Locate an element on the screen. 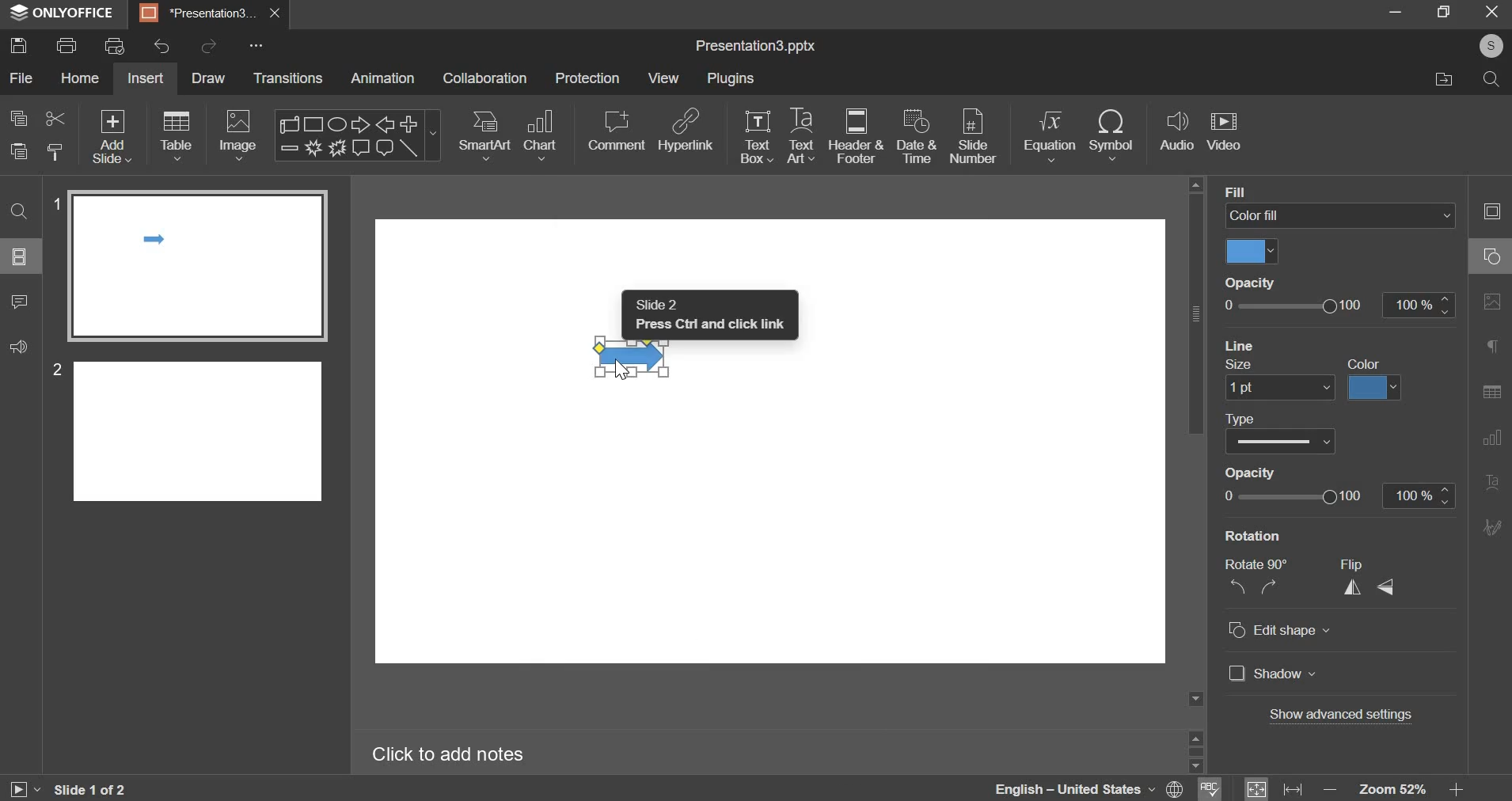 This screenshot has width=1512, height=801. flip horizontally is located at coordinates (1353, 587).